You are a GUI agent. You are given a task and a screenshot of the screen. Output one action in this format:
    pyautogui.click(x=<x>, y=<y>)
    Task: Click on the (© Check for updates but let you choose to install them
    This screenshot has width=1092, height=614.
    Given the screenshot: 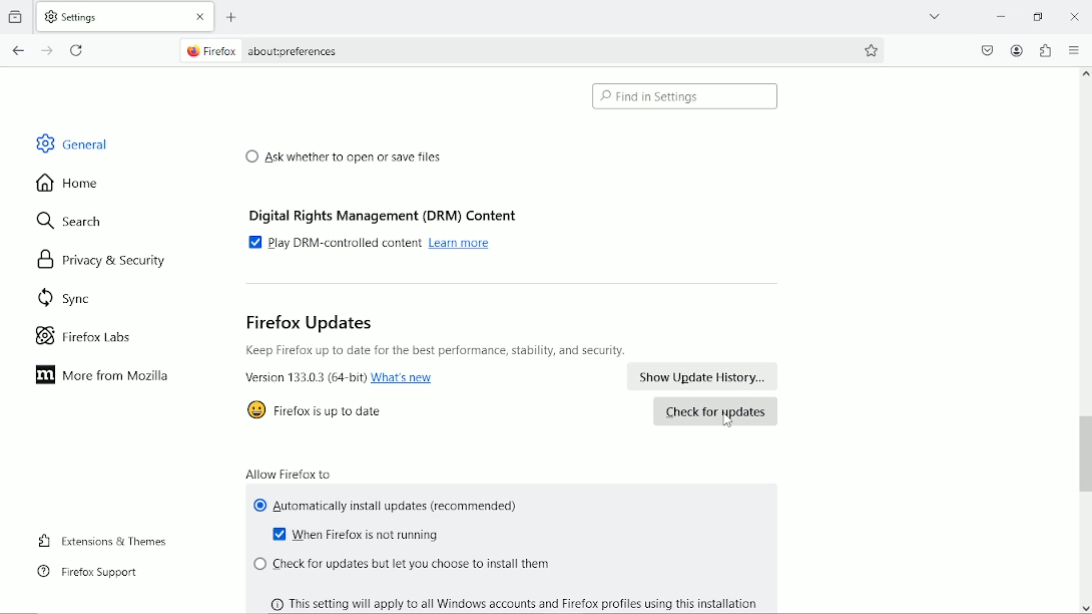 What is the action you would take?
    pyautogui.click(x=401, y=565)
    